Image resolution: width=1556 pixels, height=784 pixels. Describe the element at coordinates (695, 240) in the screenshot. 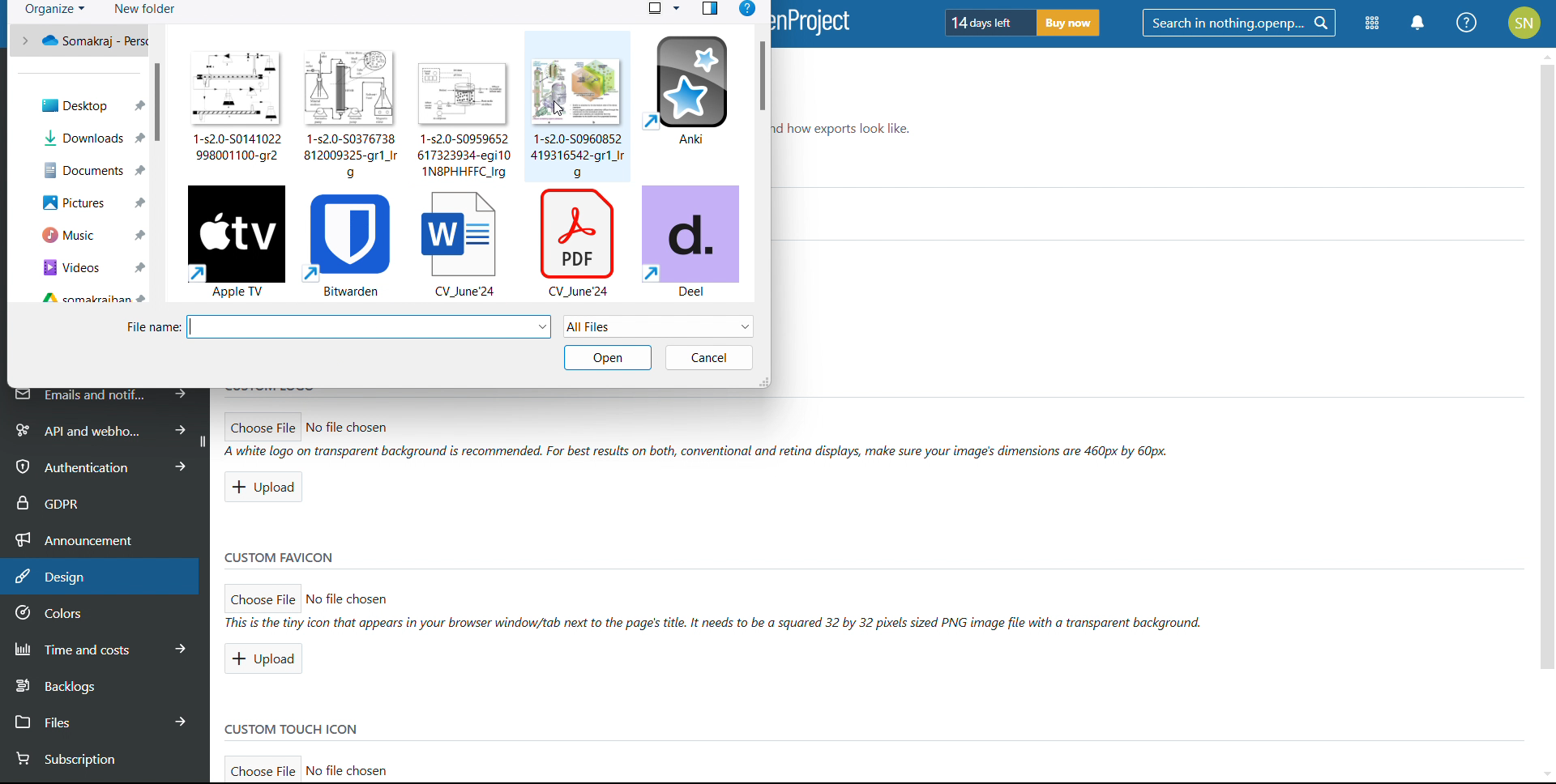

I see `deel file in folder` at that location.